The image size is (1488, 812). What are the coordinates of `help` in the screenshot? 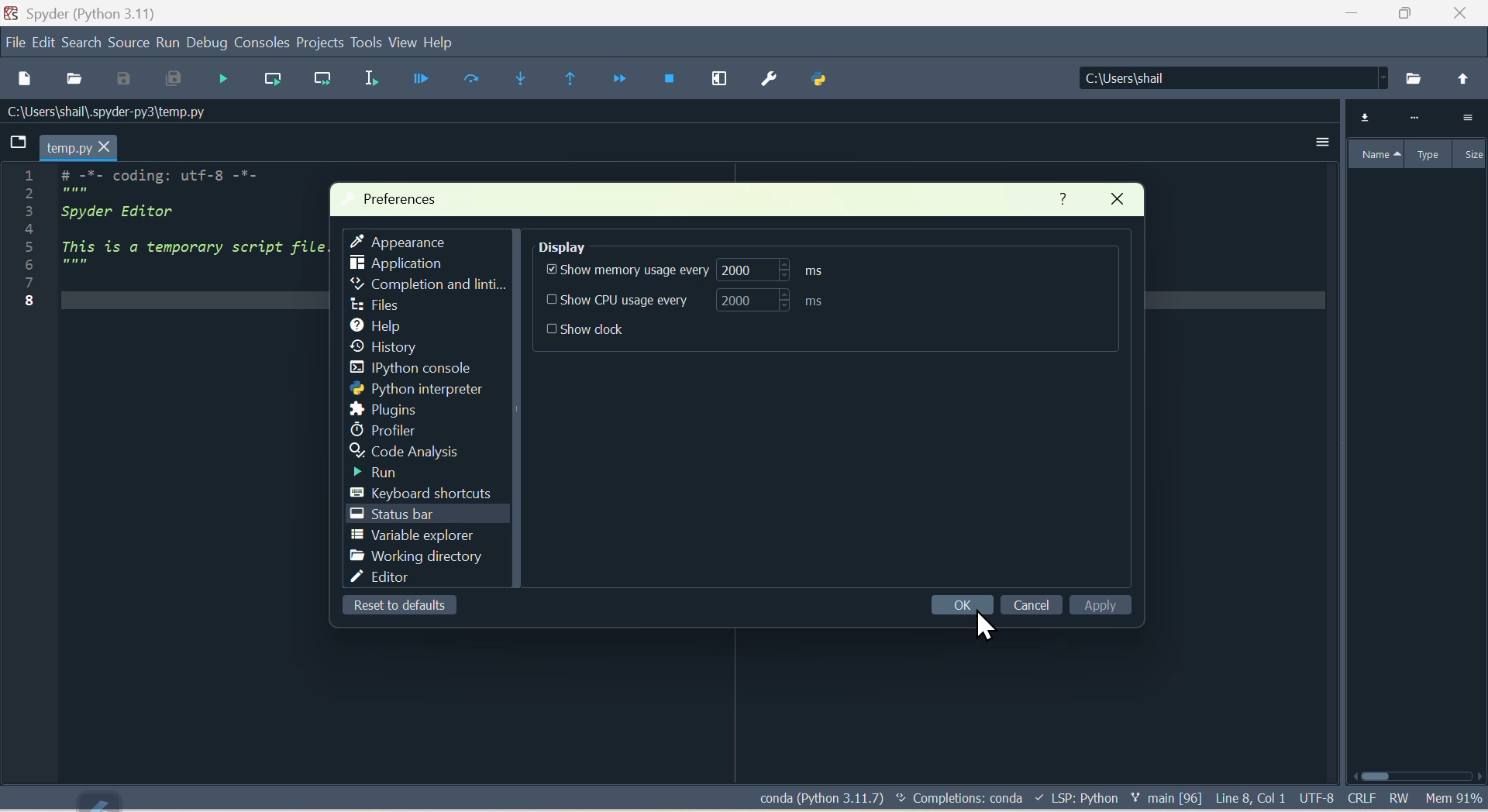 It's located at (377, 324).